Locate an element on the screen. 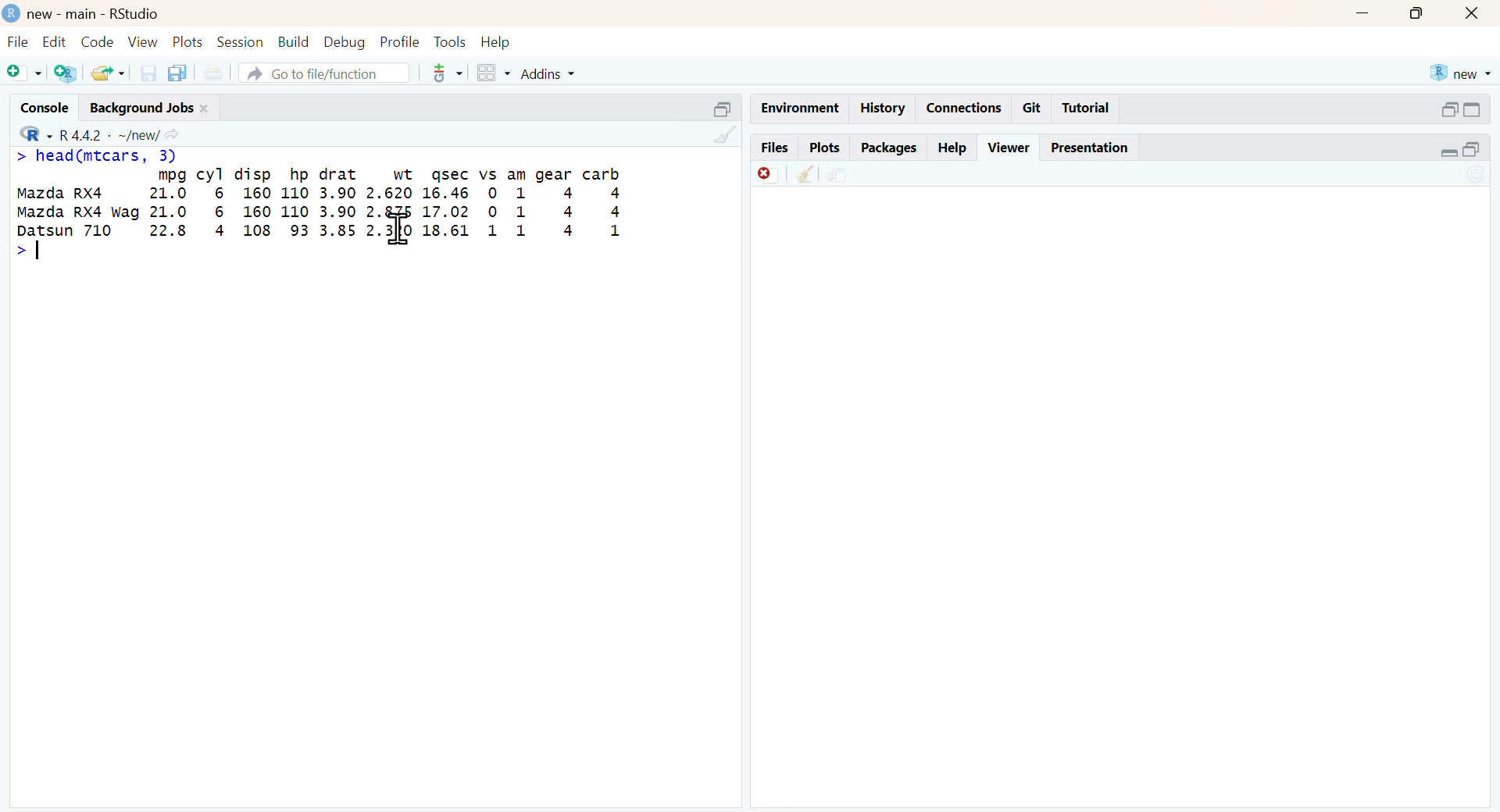 The width and height of the screenshot is (1500, 812). maximize is located at coordinates (1417, 14).